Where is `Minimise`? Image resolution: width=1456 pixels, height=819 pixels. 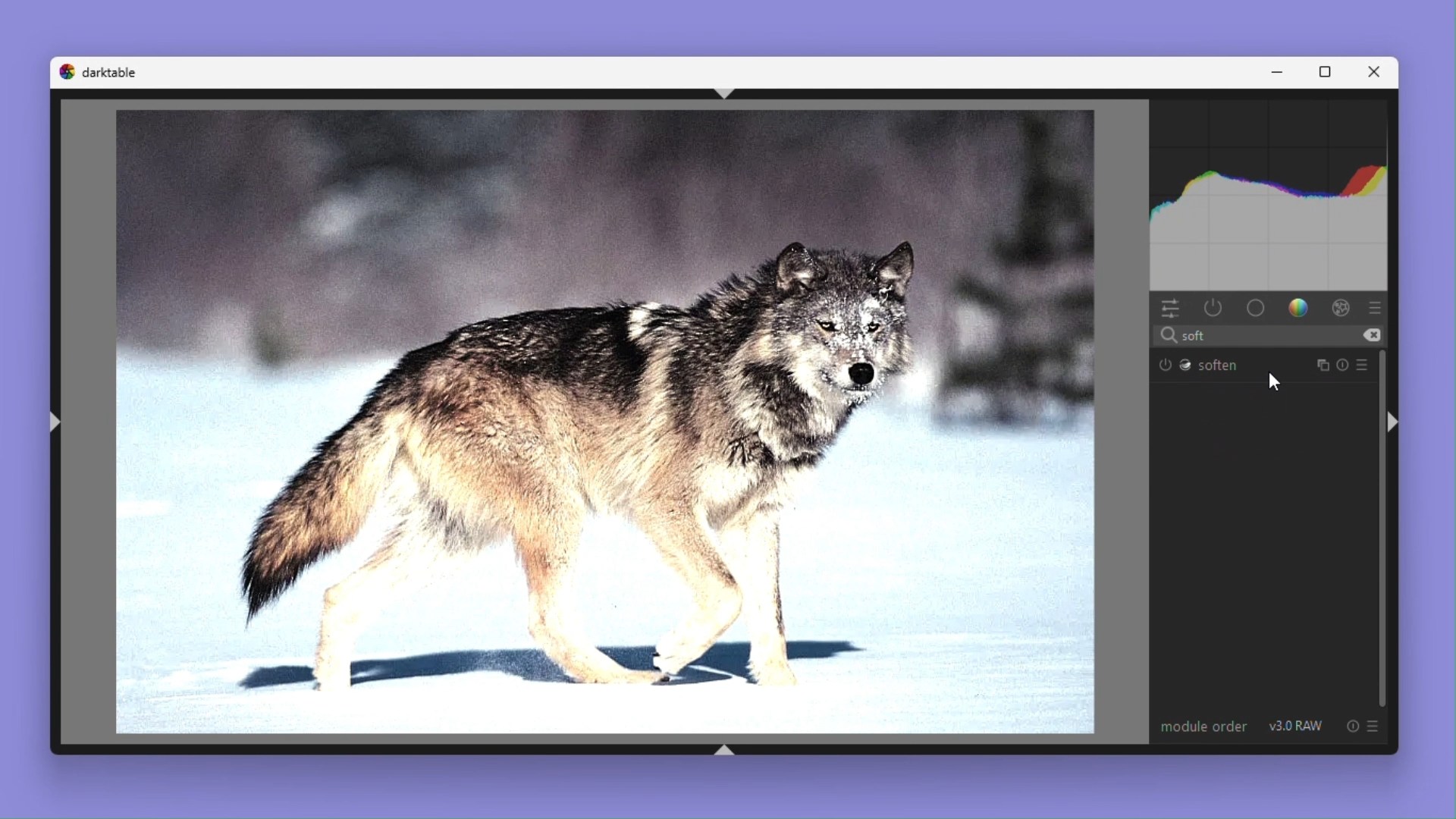
Minimise is located at coordinates (1282, 72).